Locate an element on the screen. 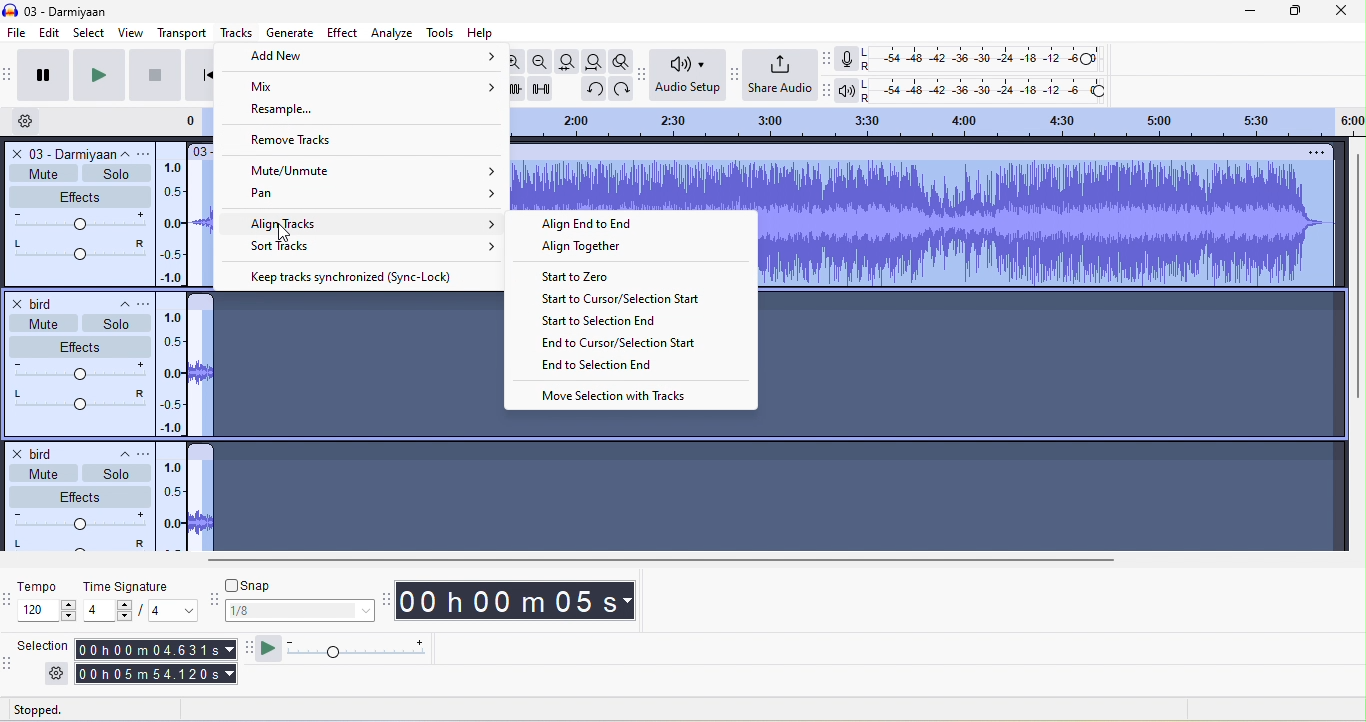 This screenshot has width=1366, height=722. keep tracks synchonized  is located at coordinates (357, 277).